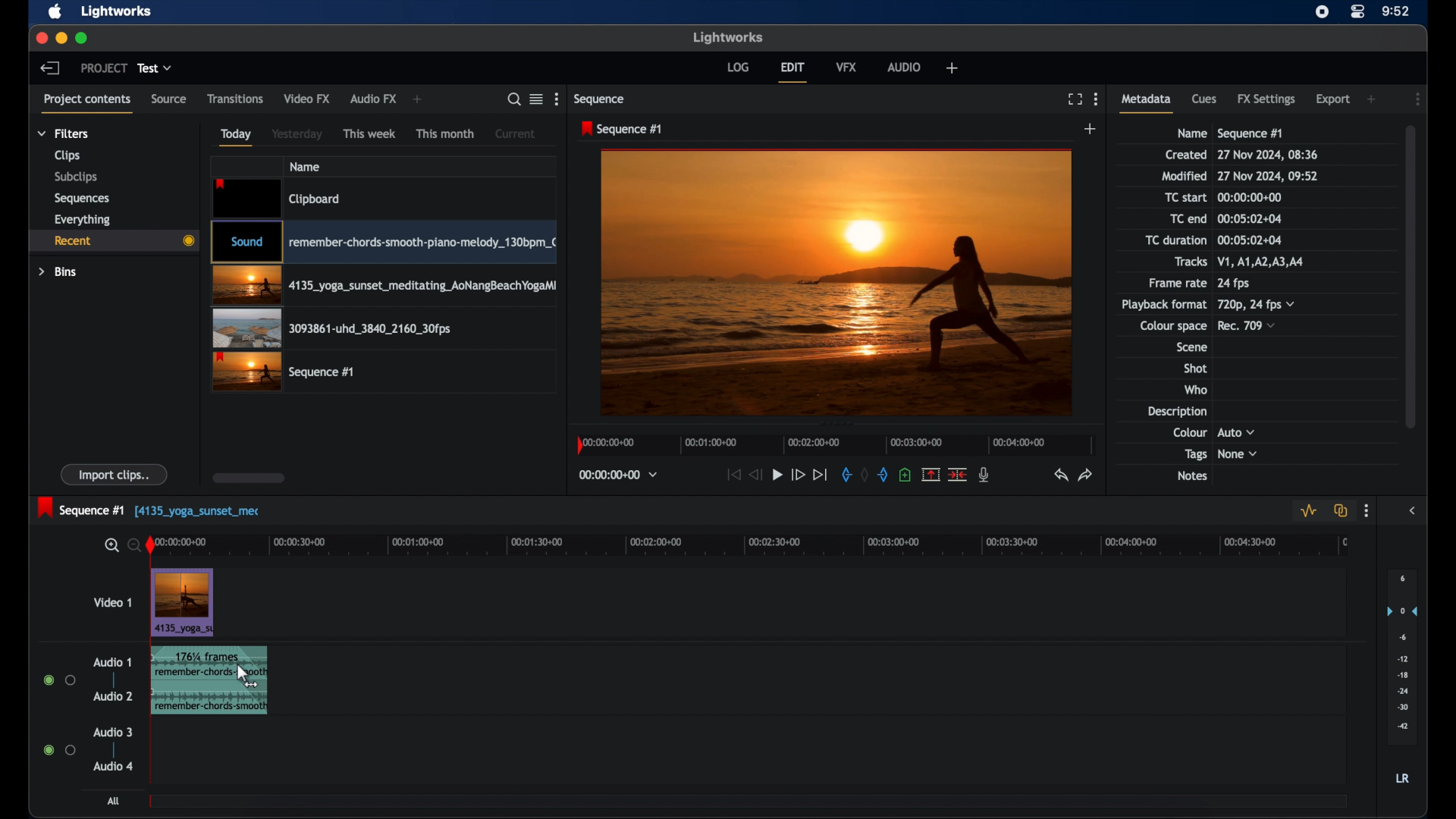 The width and height of the screenshot is (1456, 819). What do you see at coordinates (1401, 657) in the screenshot?
I see `set audio output levels` at bounding box center [1401, 657].